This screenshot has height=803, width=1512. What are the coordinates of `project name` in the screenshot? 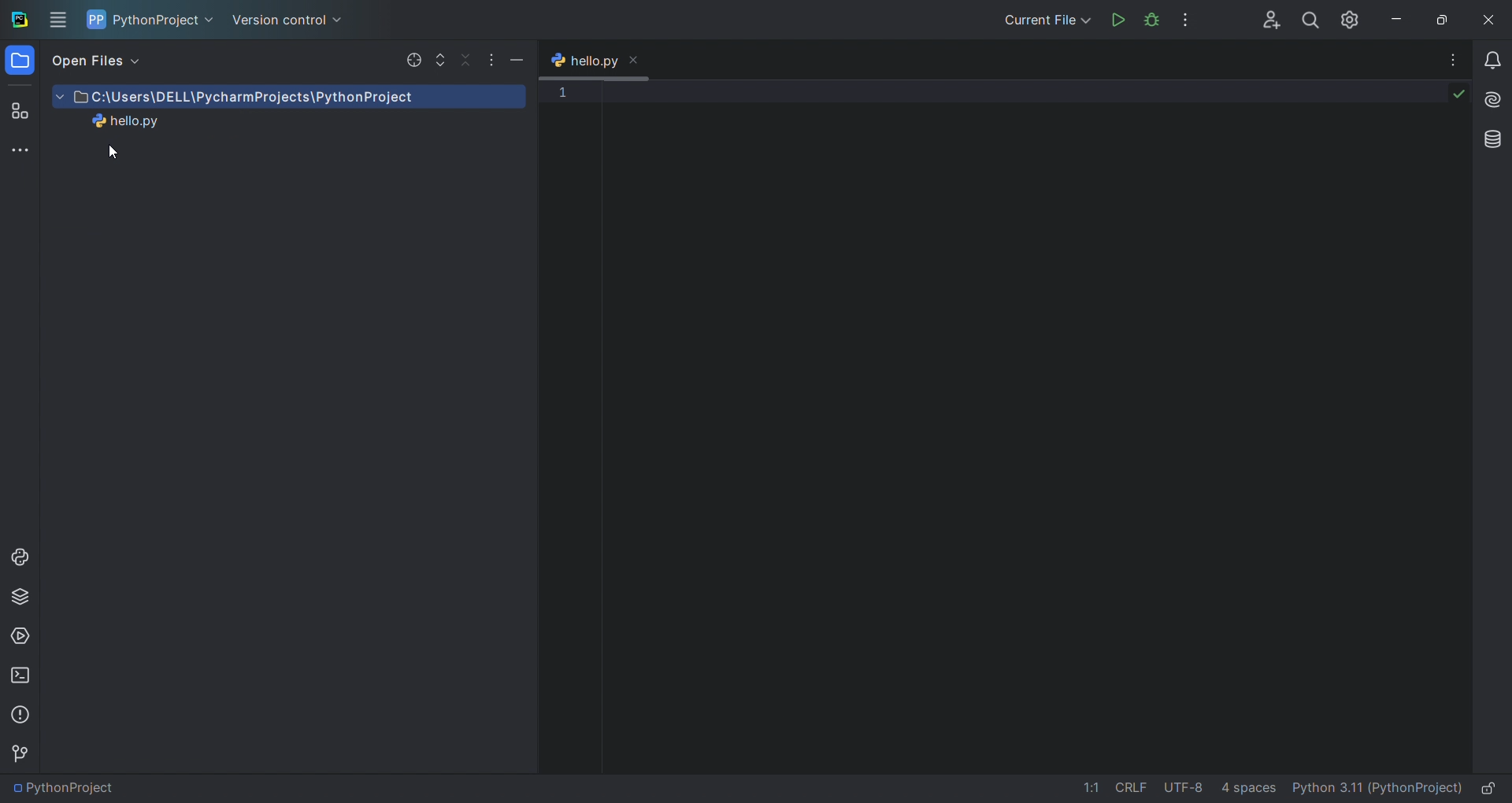 It's located at (152, 20).